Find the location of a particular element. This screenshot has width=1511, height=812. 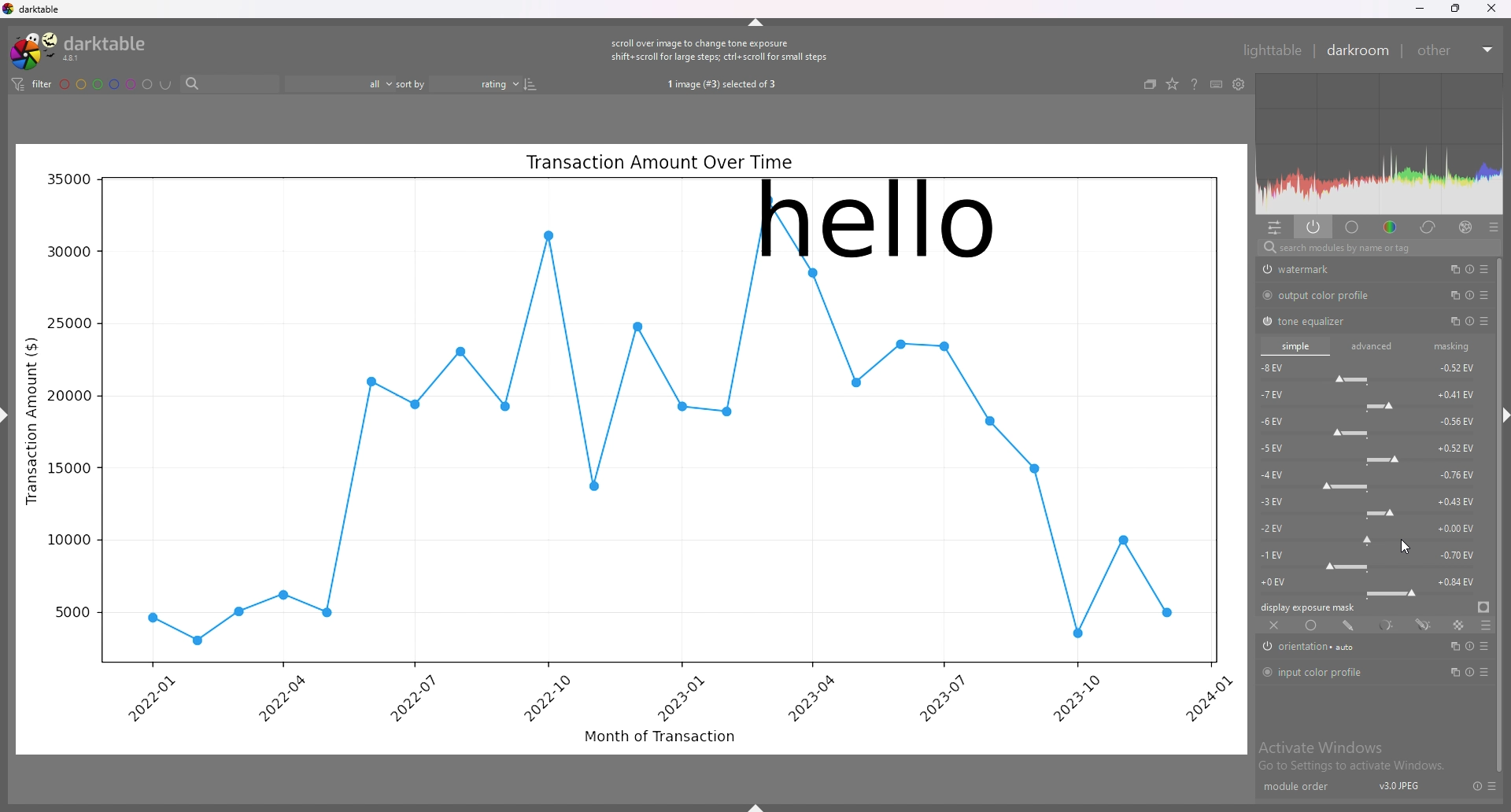

multiple instance actions, reset and presets is located at coordinates (1469, 321).